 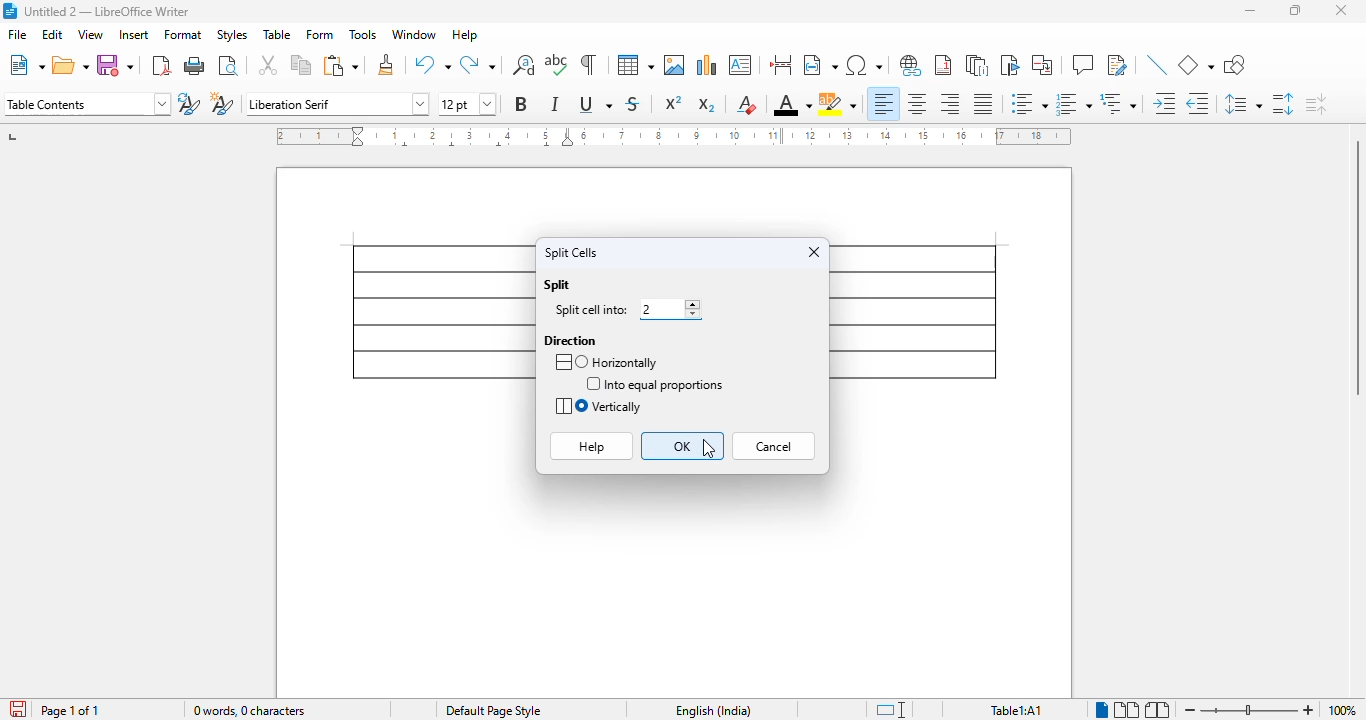 I want to click on toggle formatting marks, so click(x=589, y=65).